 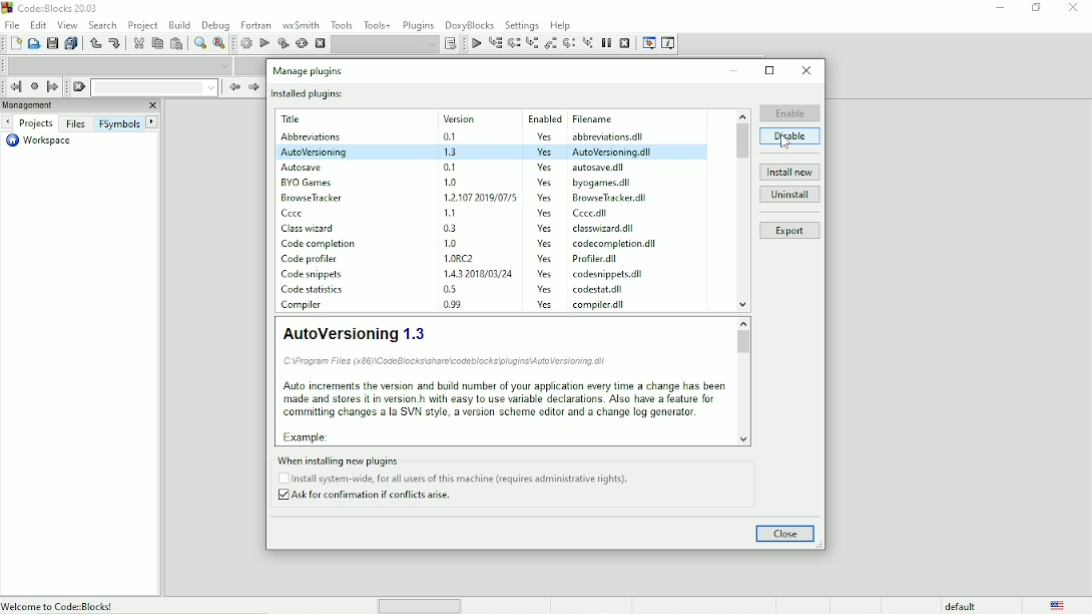 What do you see at coordinates (37, 141) in the screenshot?
I see `Workspace` at bounding box center [37, 141].